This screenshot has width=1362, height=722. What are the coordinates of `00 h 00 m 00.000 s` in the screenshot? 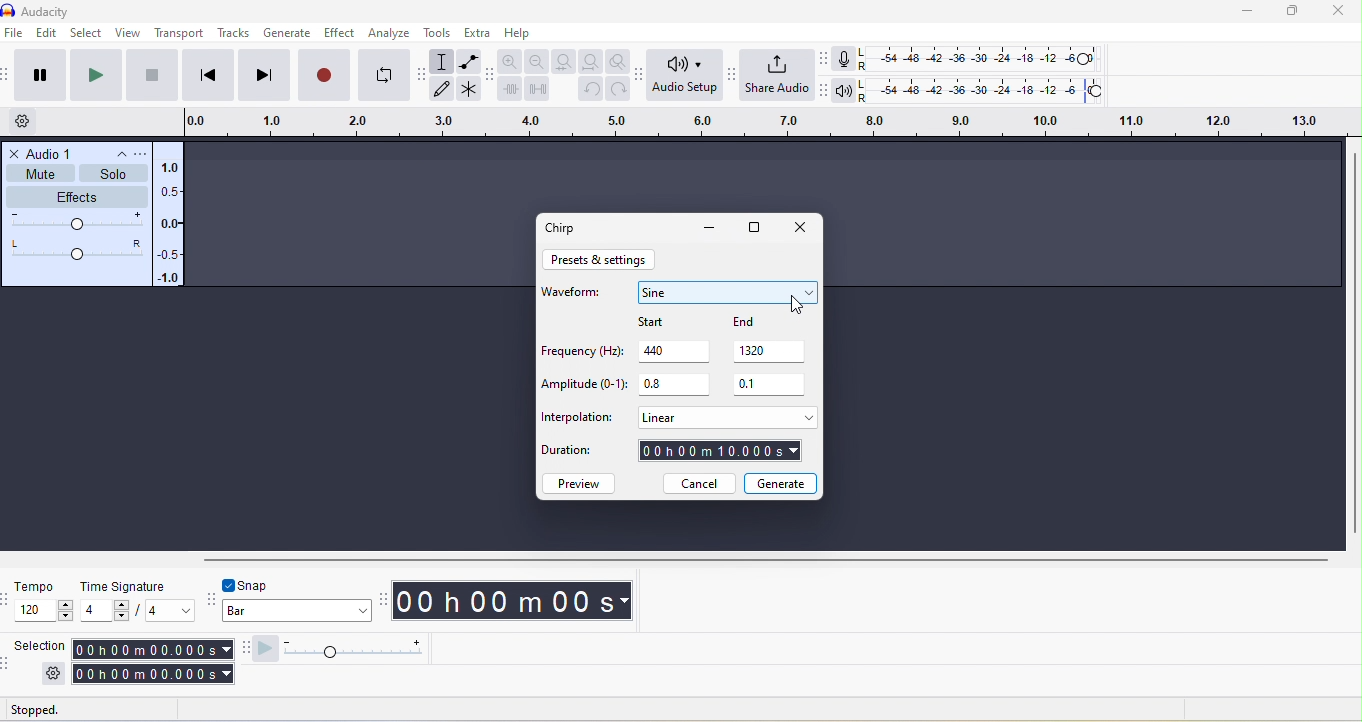 It's located at (151, 662).